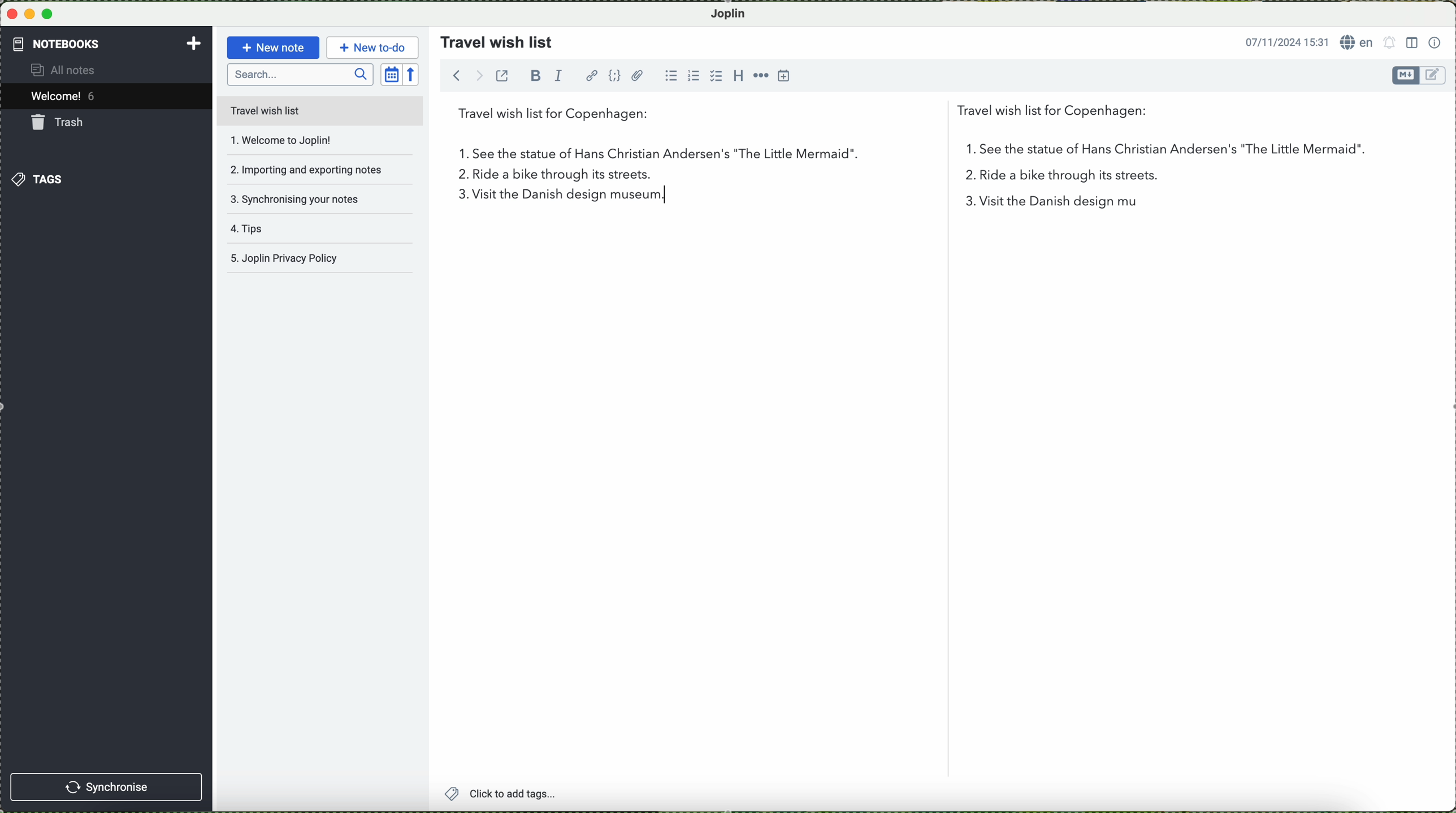  I want to click on click to add tags, so click(530, 794).